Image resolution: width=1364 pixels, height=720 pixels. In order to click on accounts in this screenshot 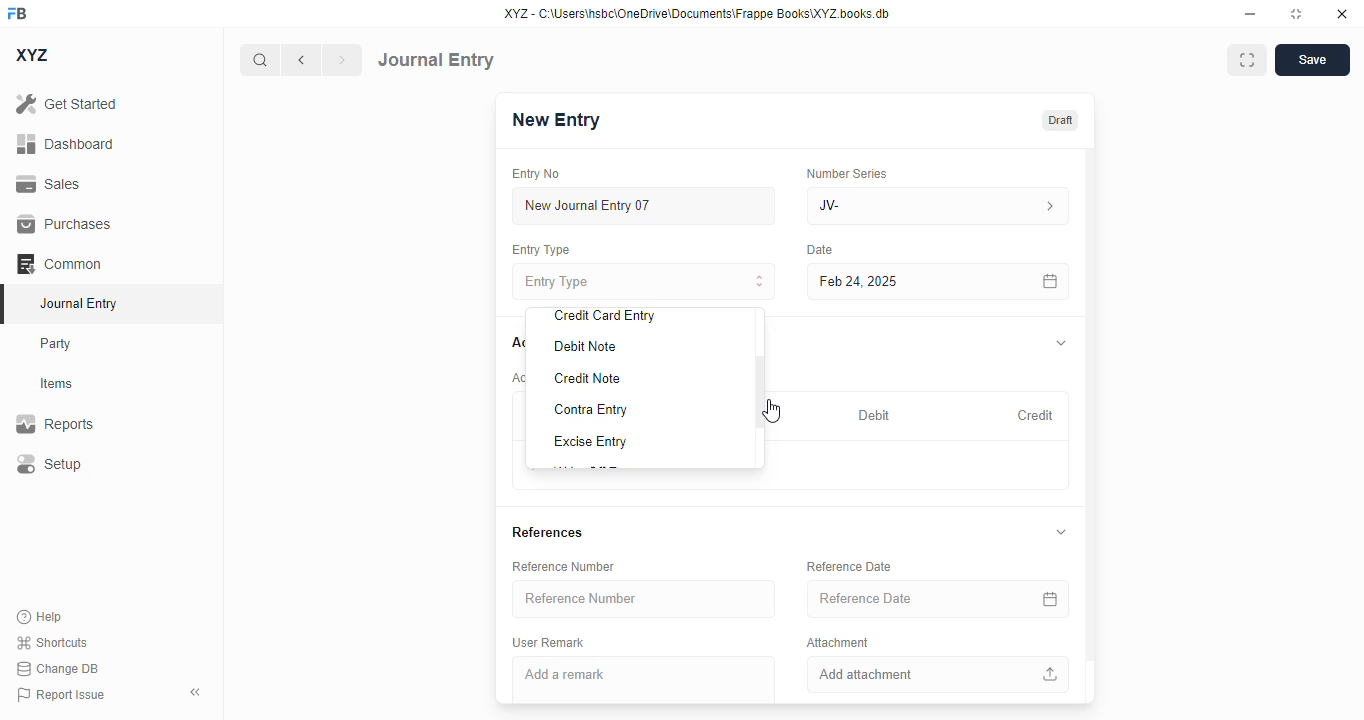, I will do `click(516, 344)`.